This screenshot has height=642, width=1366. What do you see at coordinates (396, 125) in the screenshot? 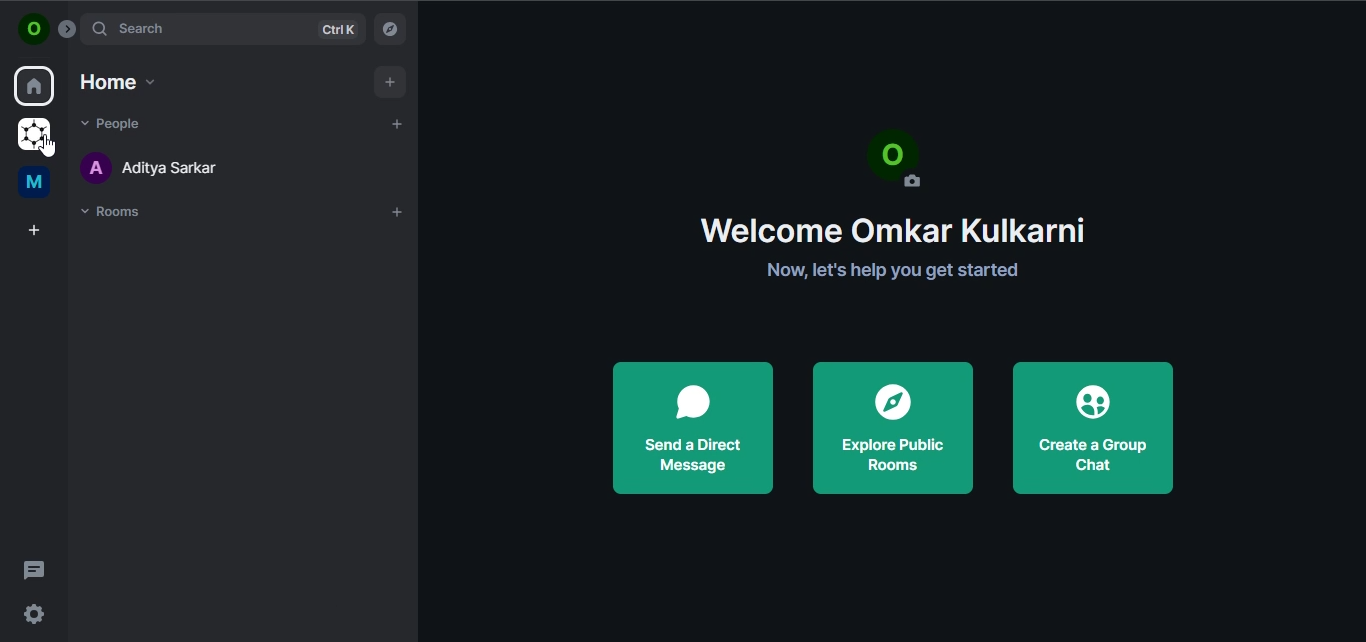
I see `start chat` at bounding box center [396, 125].